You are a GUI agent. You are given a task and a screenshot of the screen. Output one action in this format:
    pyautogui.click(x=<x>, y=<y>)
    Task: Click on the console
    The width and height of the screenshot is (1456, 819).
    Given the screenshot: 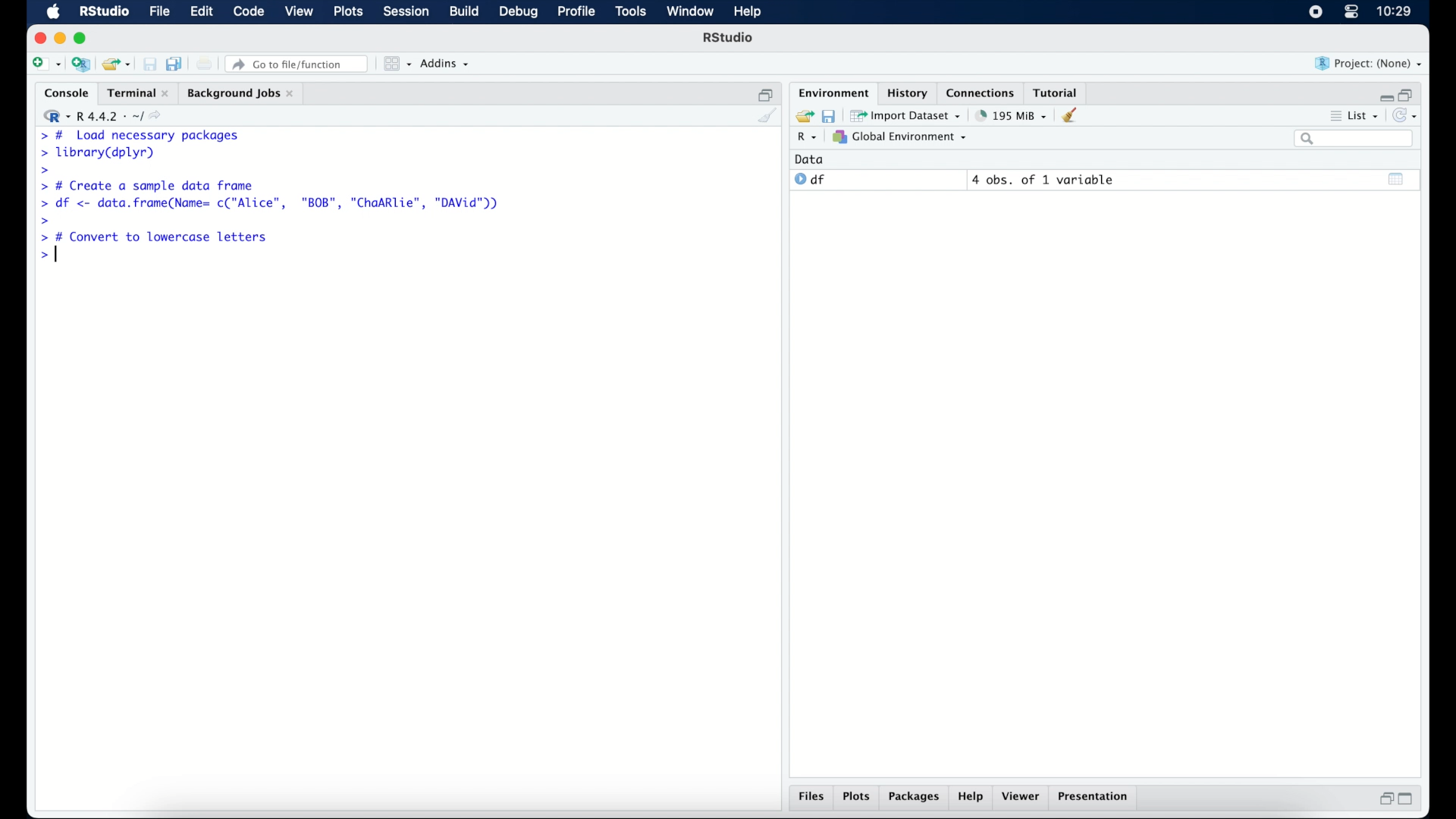 What is the action you would take?
    pyautogui.click(x=63, y=93)
    